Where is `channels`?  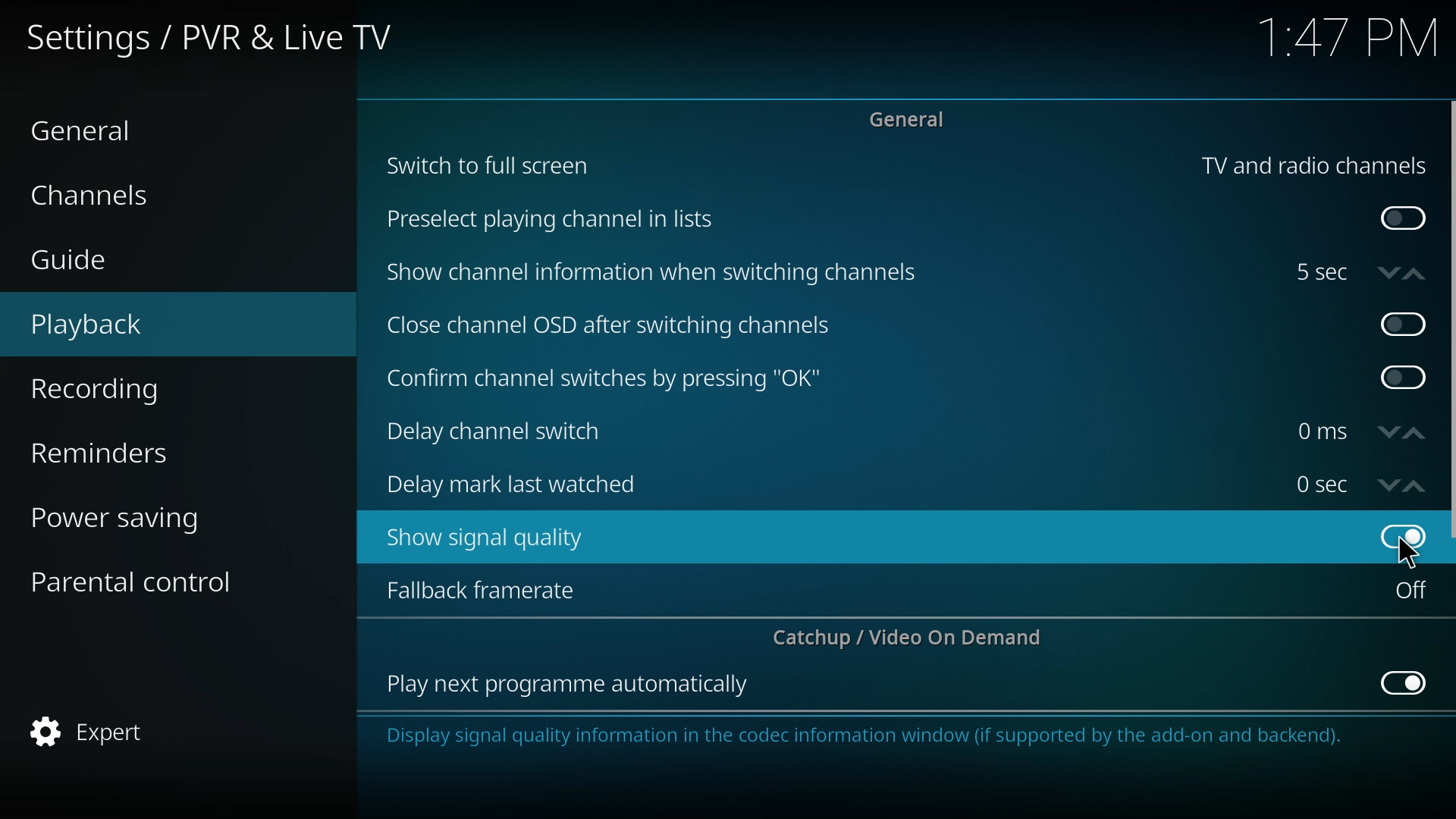
channels is located at coordinates (121, 193).